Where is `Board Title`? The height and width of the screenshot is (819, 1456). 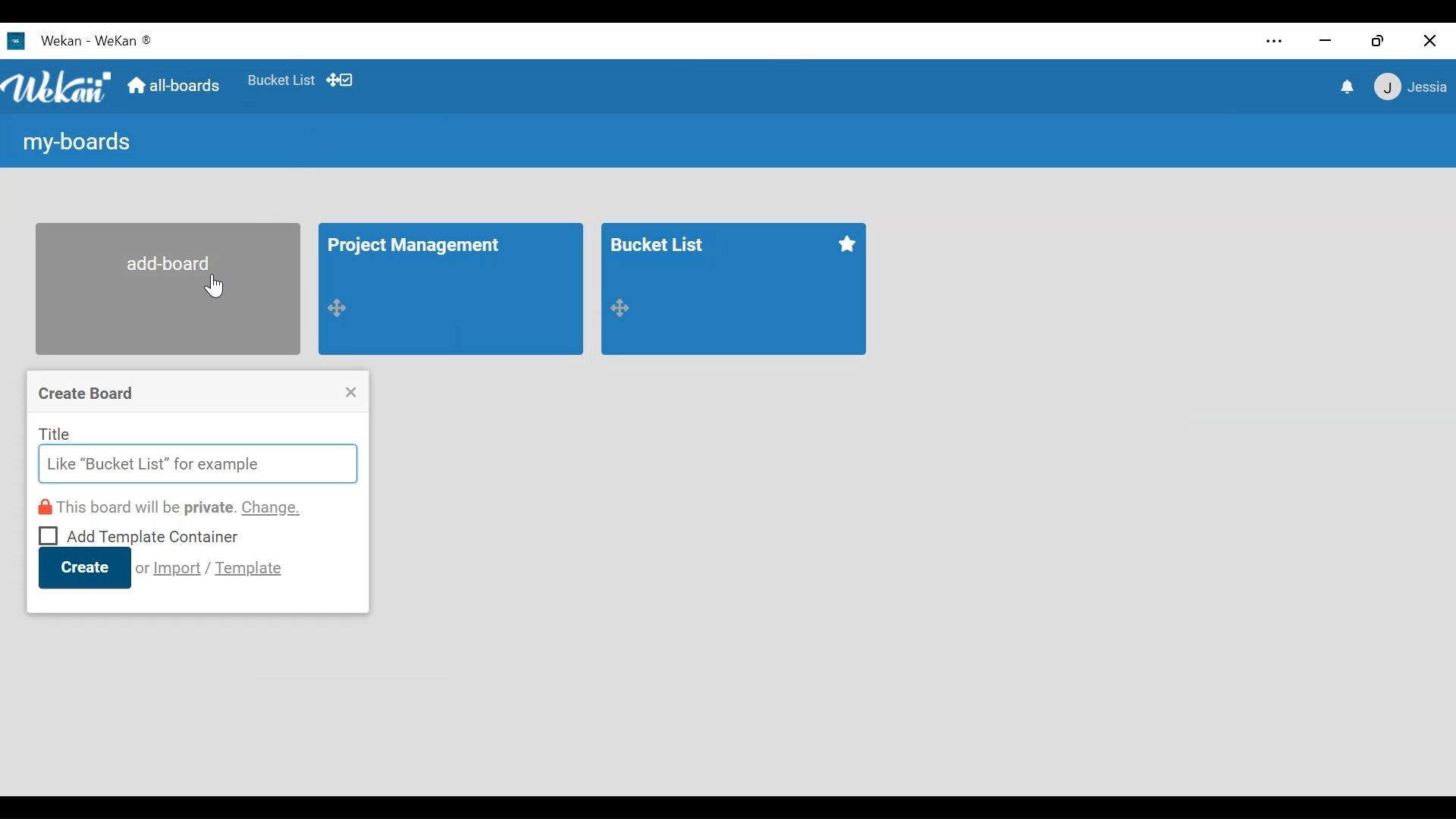
Board Title is located at coordinates (661, 243).